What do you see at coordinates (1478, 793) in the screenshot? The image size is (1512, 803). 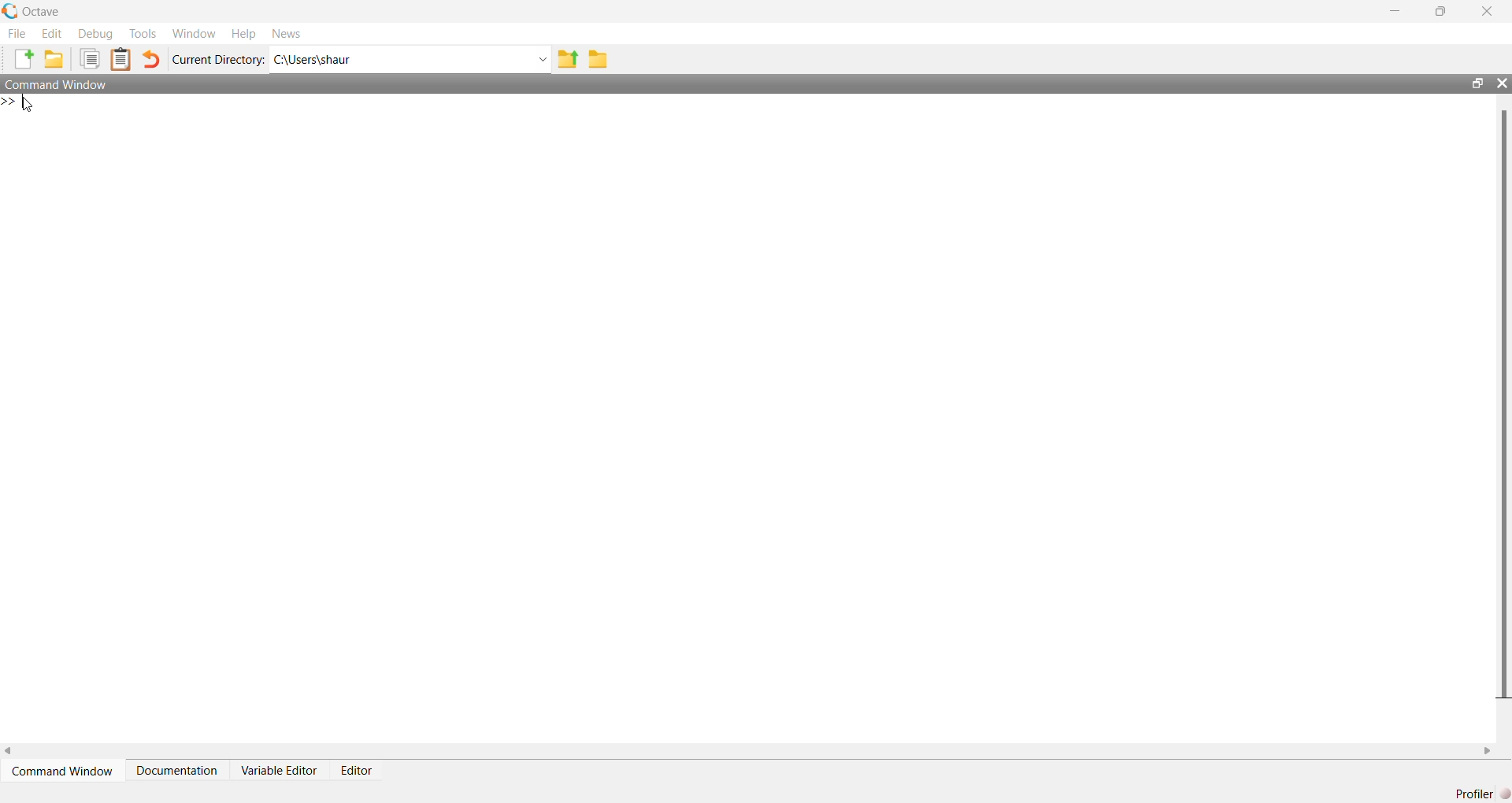 I see `Profiler` at bounding box center [1478, 793].